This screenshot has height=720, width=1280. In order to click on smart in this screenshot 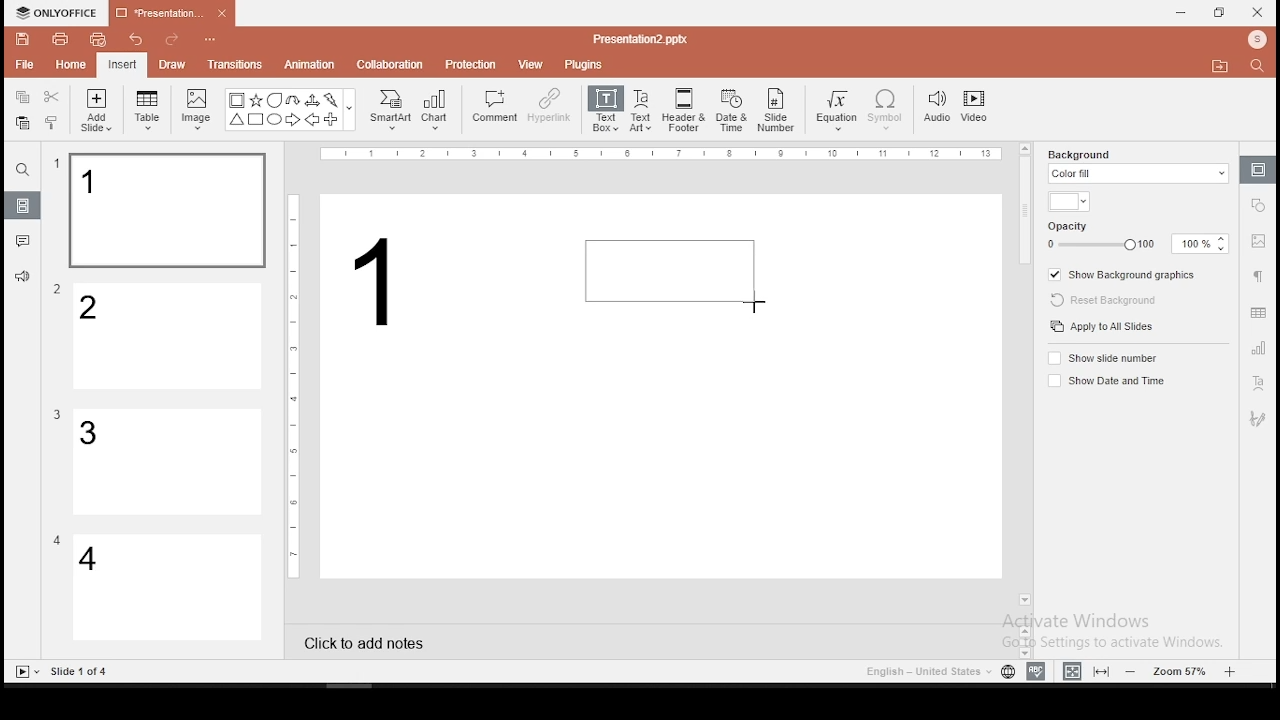, I will do `click(388, 110)`.